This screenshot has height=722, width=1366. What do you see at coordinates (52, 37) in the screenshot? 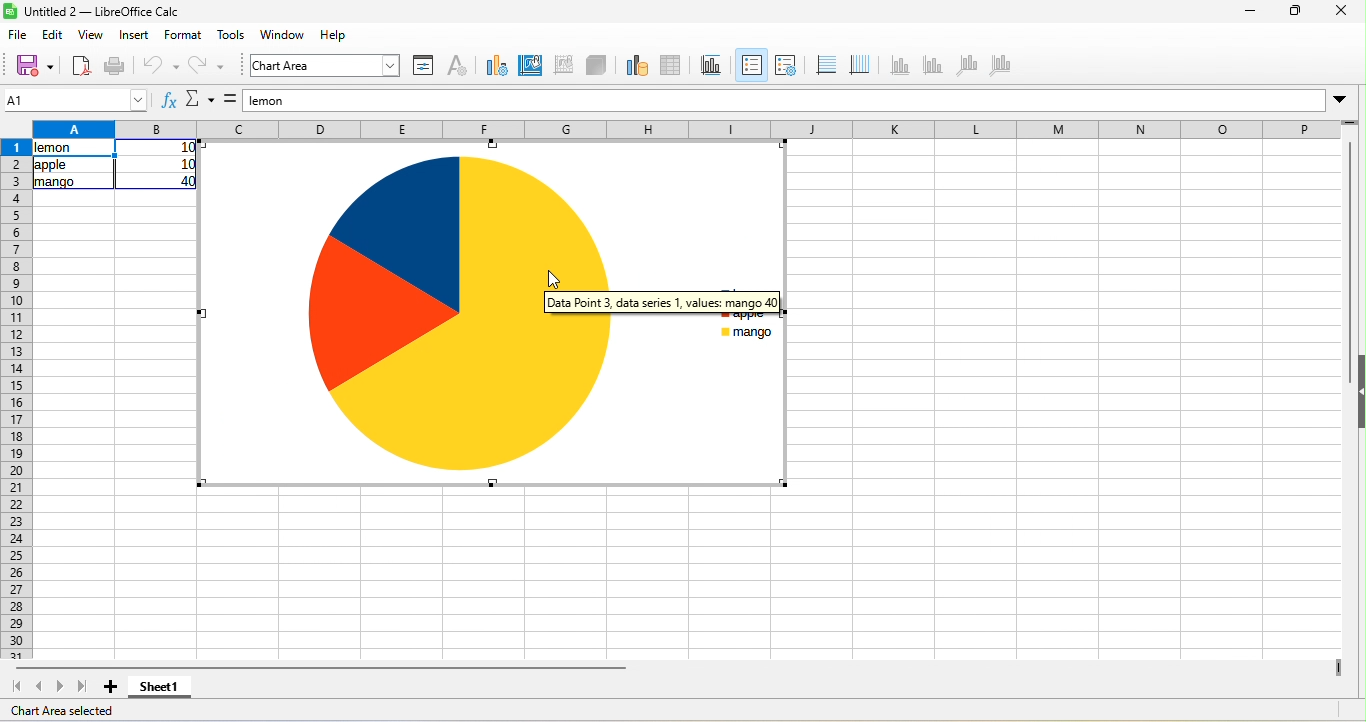
I see `edit` at bounding box center [52, 37].